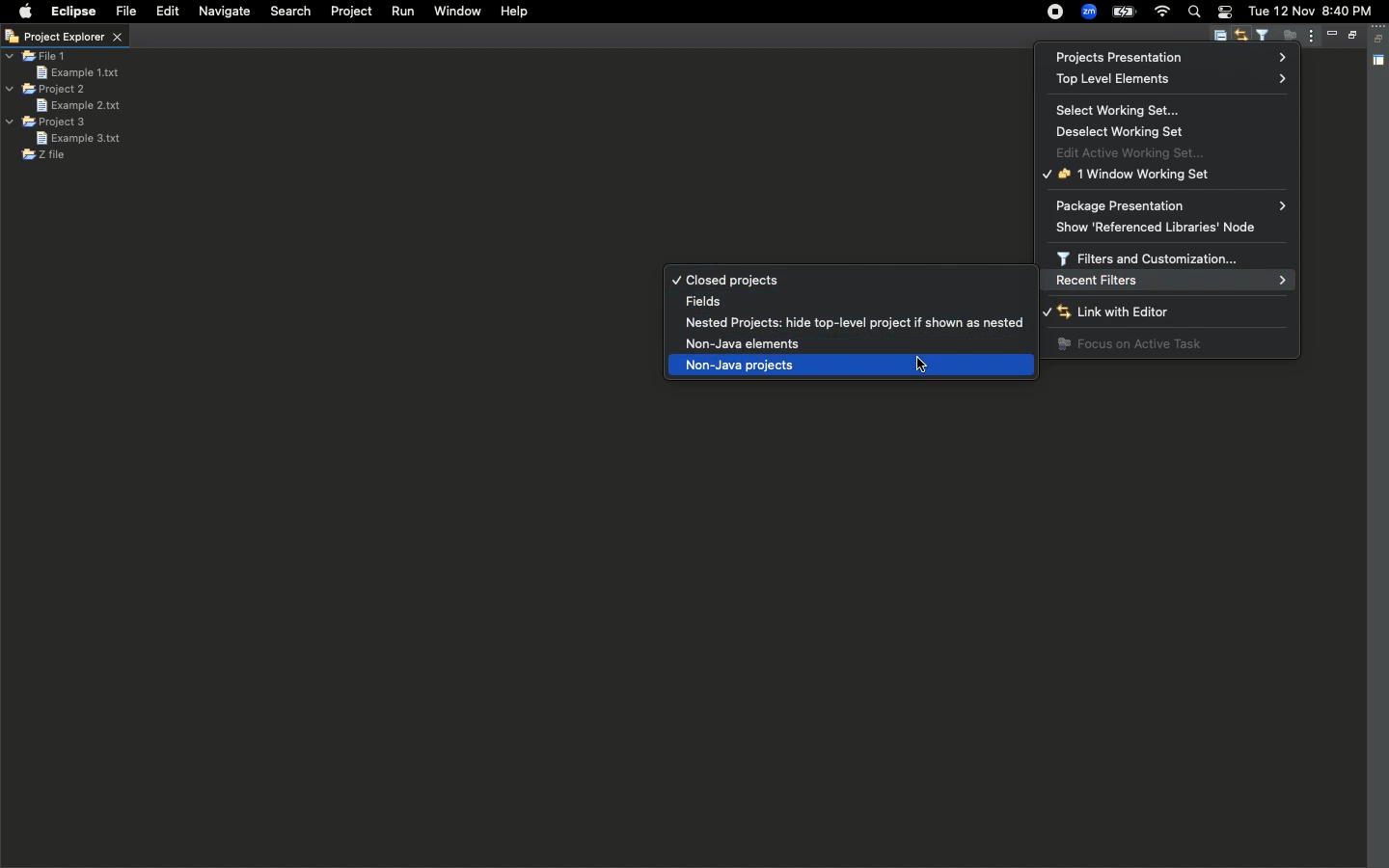  Describe the element at coordinates (353, 13) in the screenshot. I see `Project` at that location.